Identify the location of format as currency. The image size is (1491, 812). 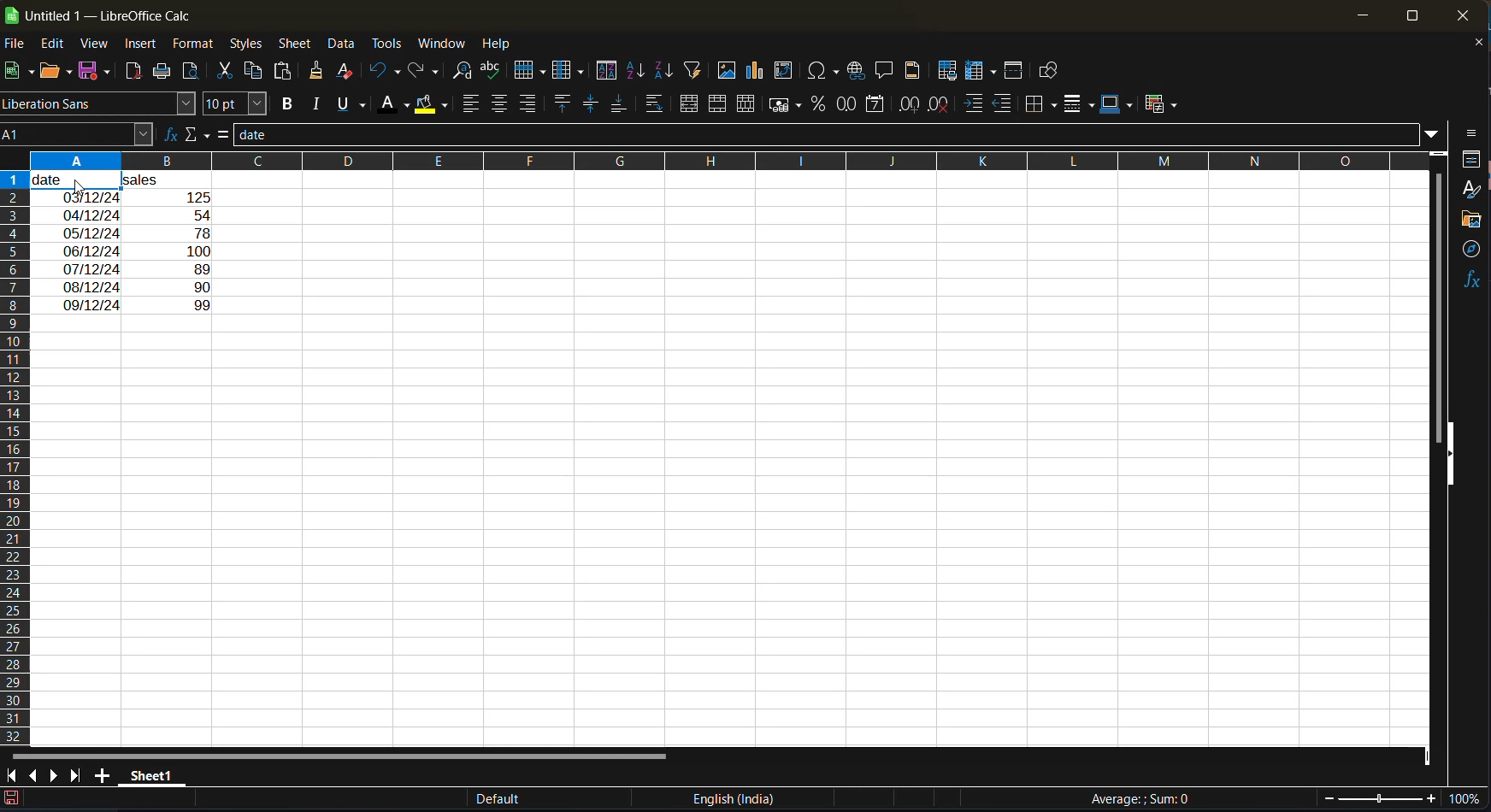
(787, 106).